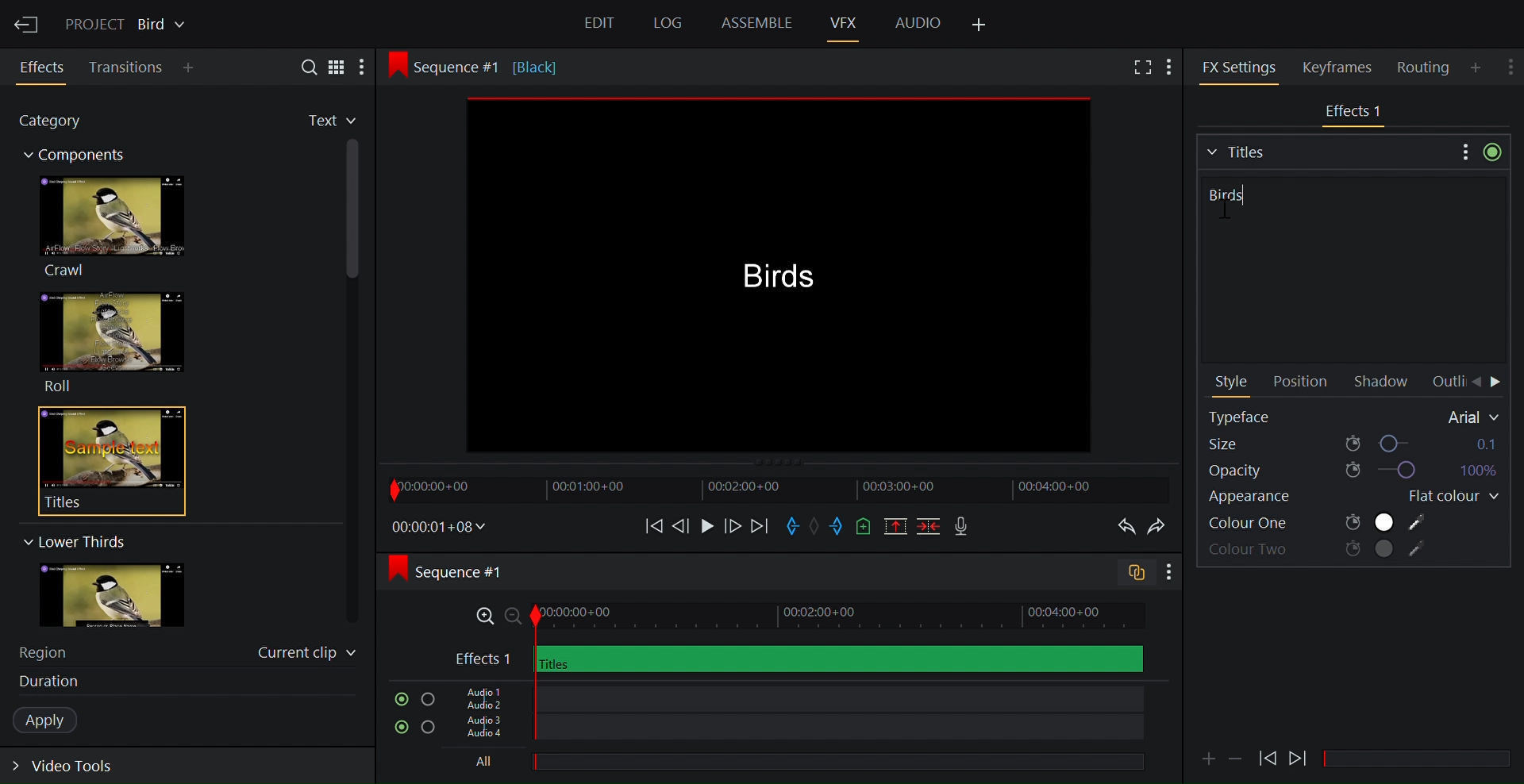  What do you see at coordinates (302, 66) in the screenshot?
I see `Search` at bounding box center [302, 66].